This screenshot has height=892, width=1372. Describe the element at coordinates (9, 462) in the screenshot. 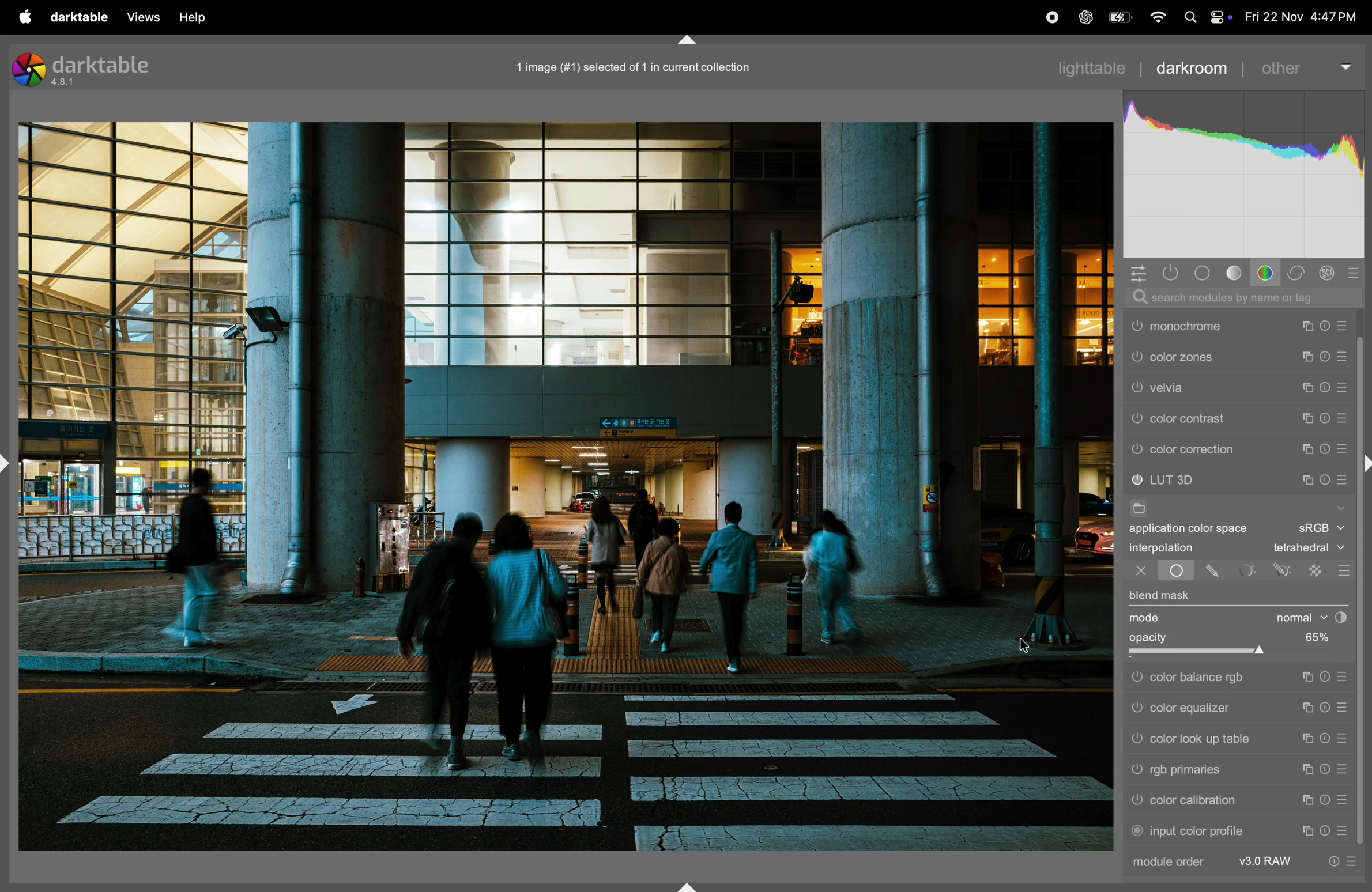

I see `shift+ctrl+l` at that location.